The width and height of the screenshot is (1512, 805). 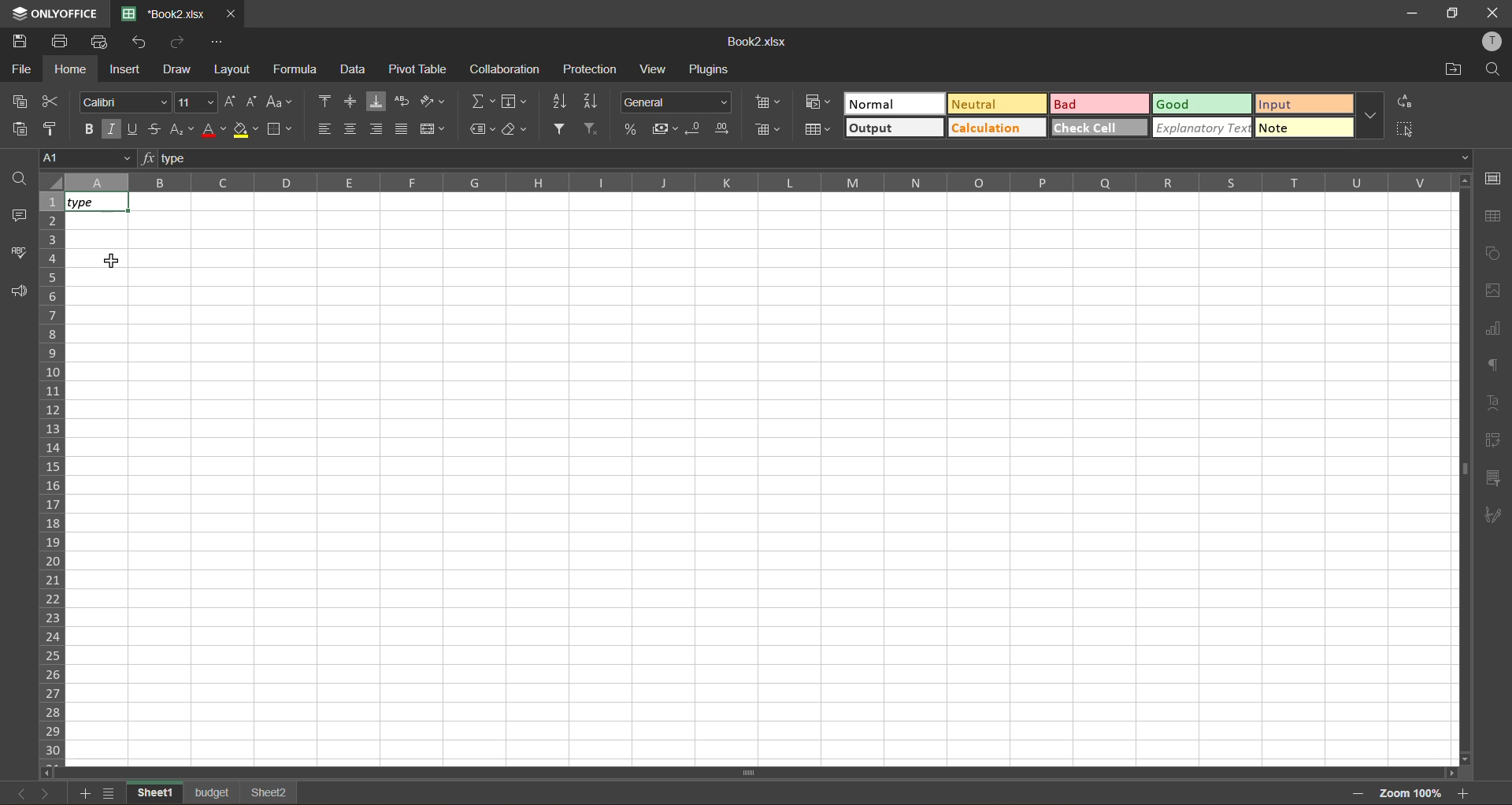 What do you see at coordinates (23, 42) in the screenshot?
I see `save` at bounding box center [23, 42].